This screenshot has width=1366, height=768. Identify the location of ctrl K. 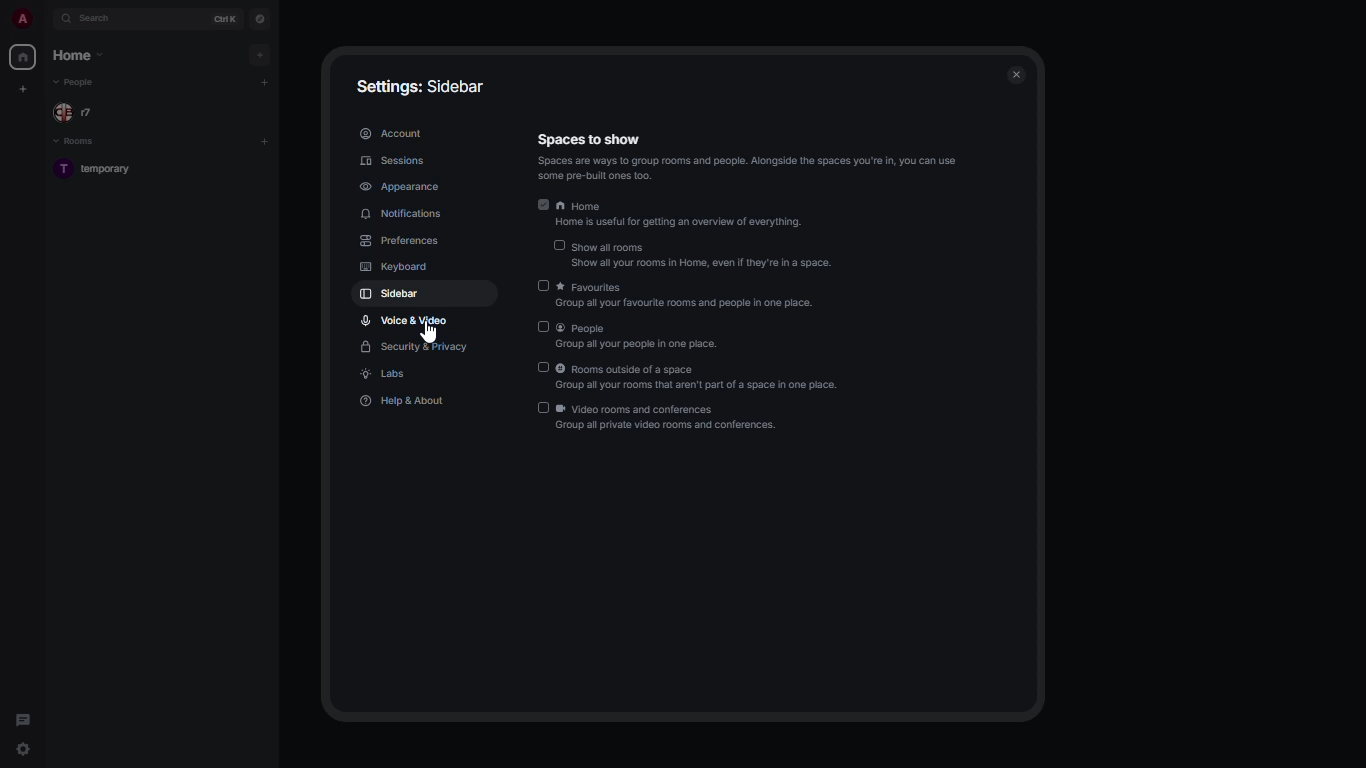
(229, 18).